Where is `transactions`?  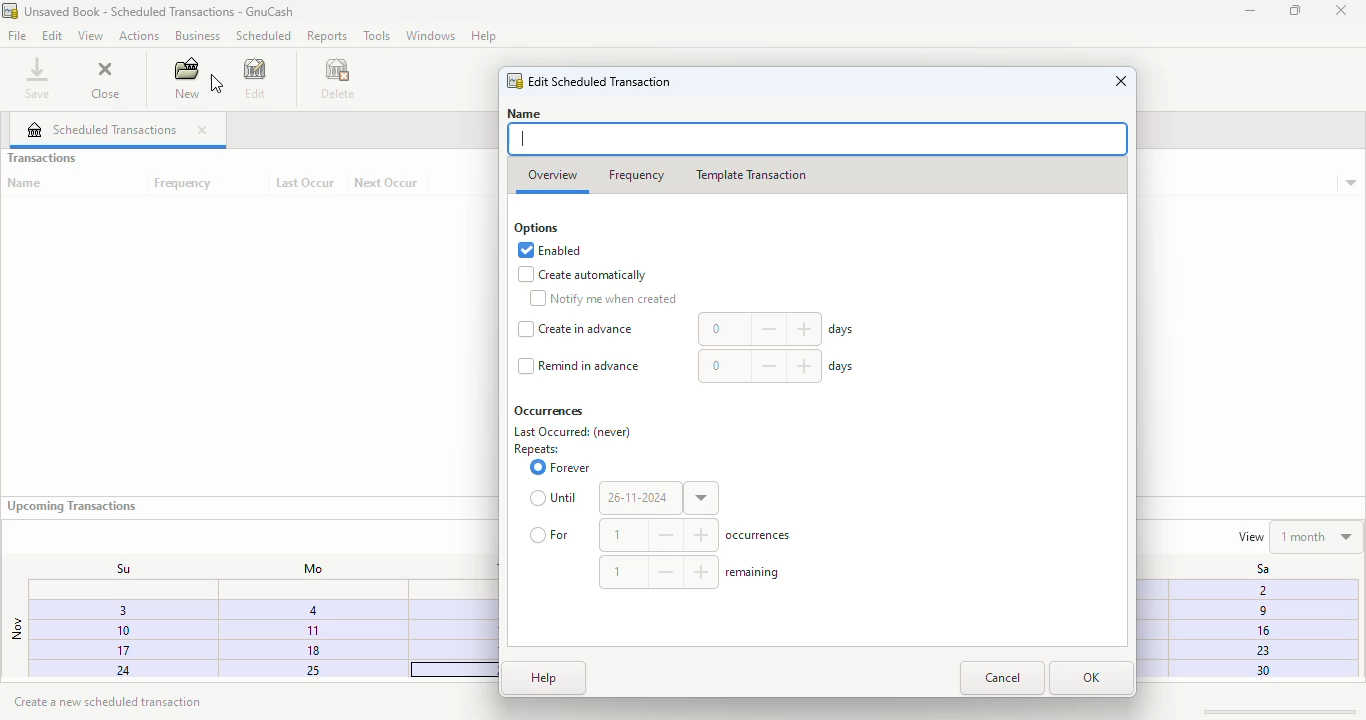 transactions is located at coordinates (41, 158).